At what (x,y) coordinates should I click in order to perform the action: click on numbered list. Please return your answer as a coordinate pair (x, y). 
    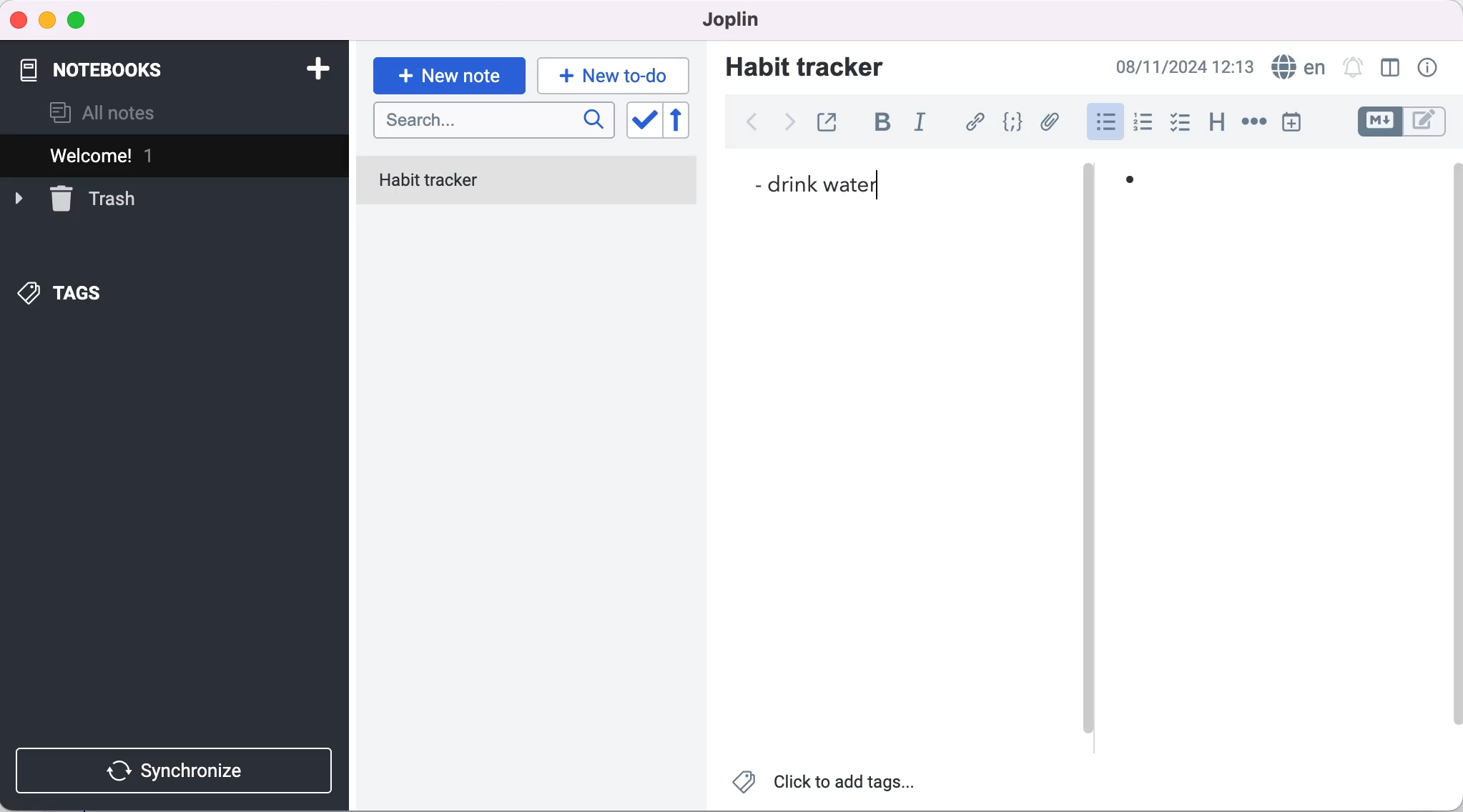
    Looking at the image, I should click on (1147, 124).